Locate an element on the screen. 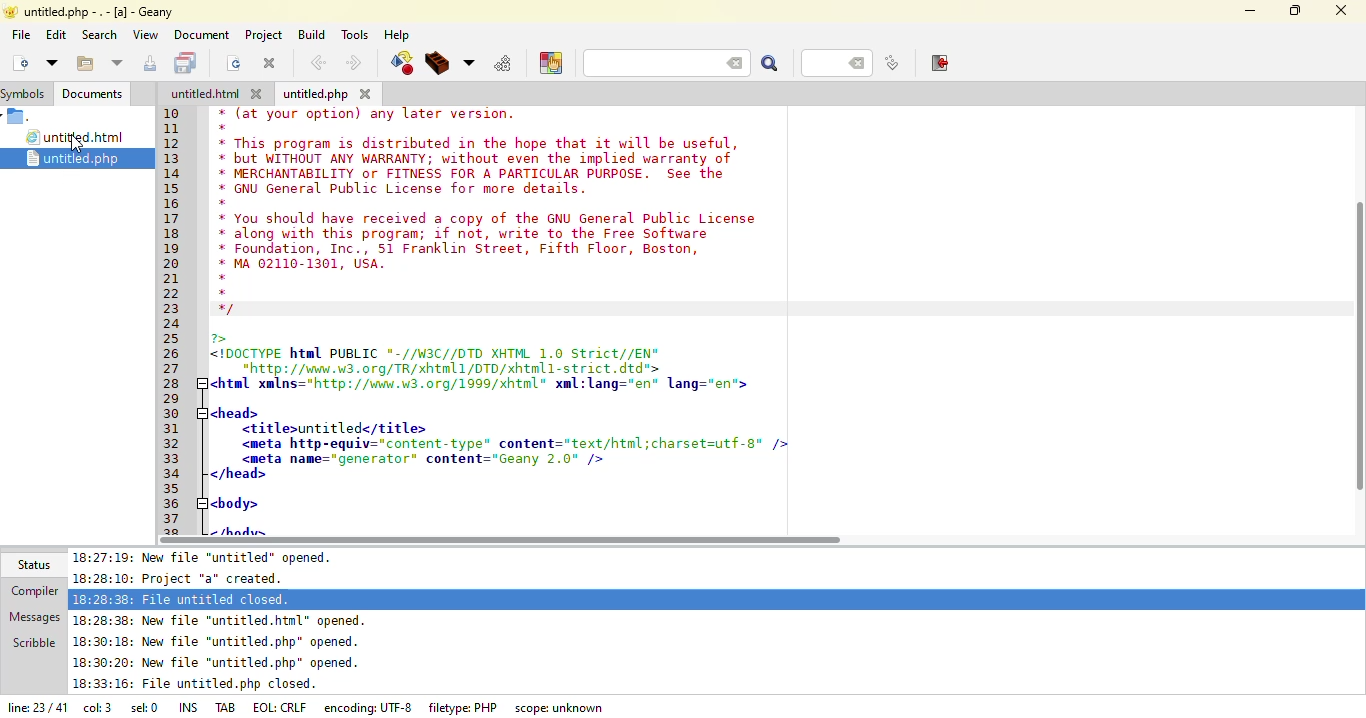  save is located at coordinates (187, 62).